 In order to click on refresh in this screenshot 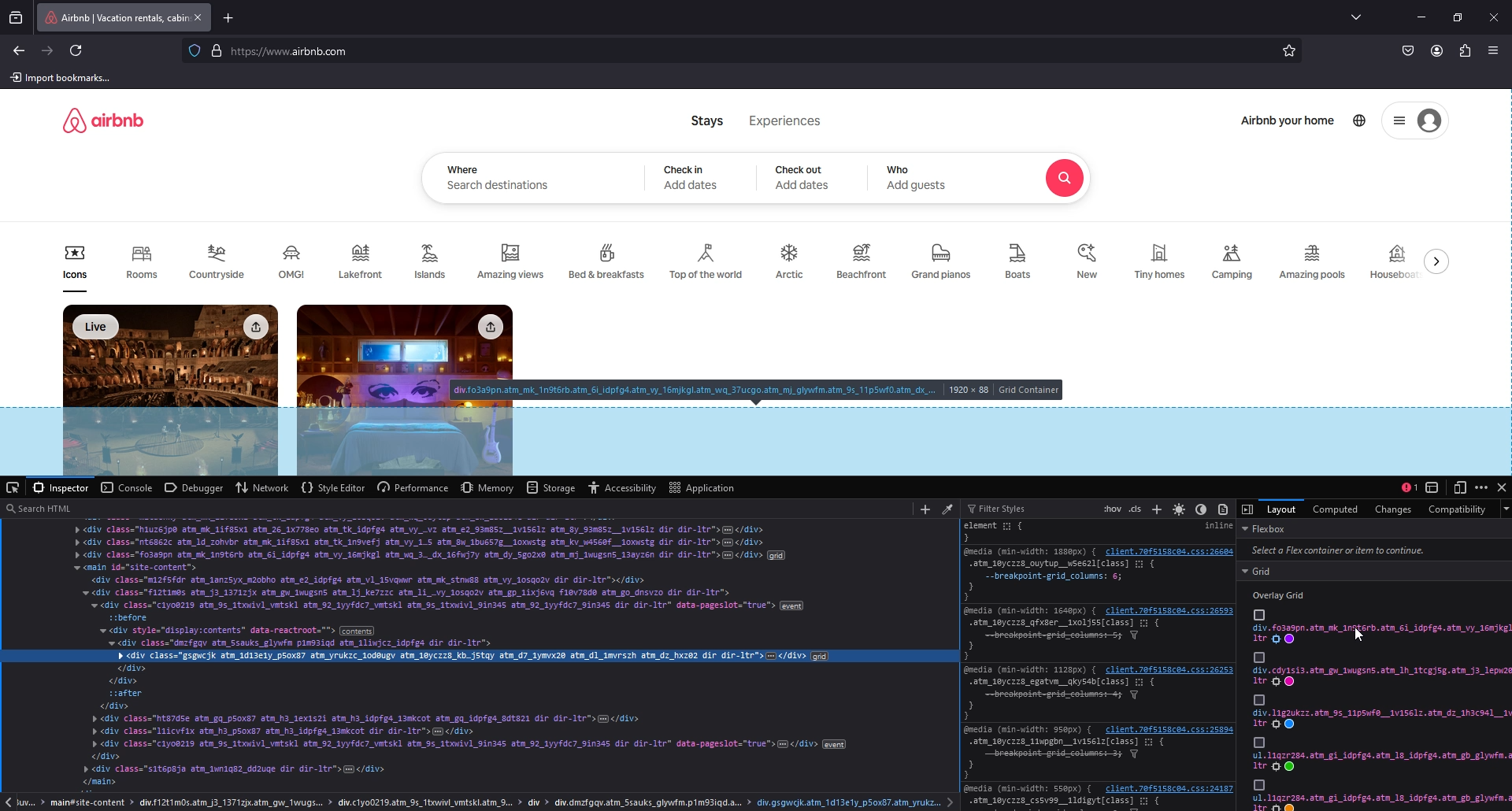, I will do `click(78, 51)`.